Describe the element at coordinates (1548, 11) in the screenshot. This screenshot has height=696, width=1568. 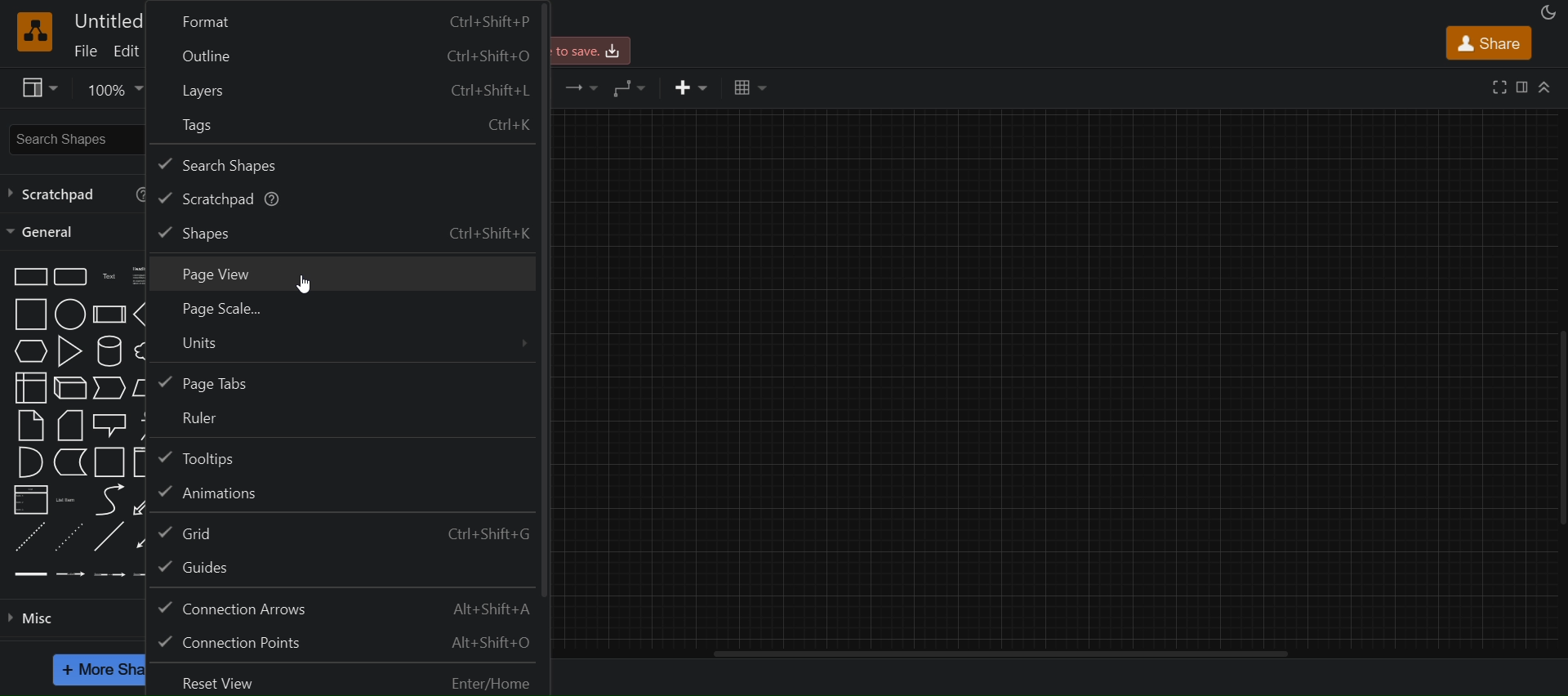
I see `appearance` at that location.